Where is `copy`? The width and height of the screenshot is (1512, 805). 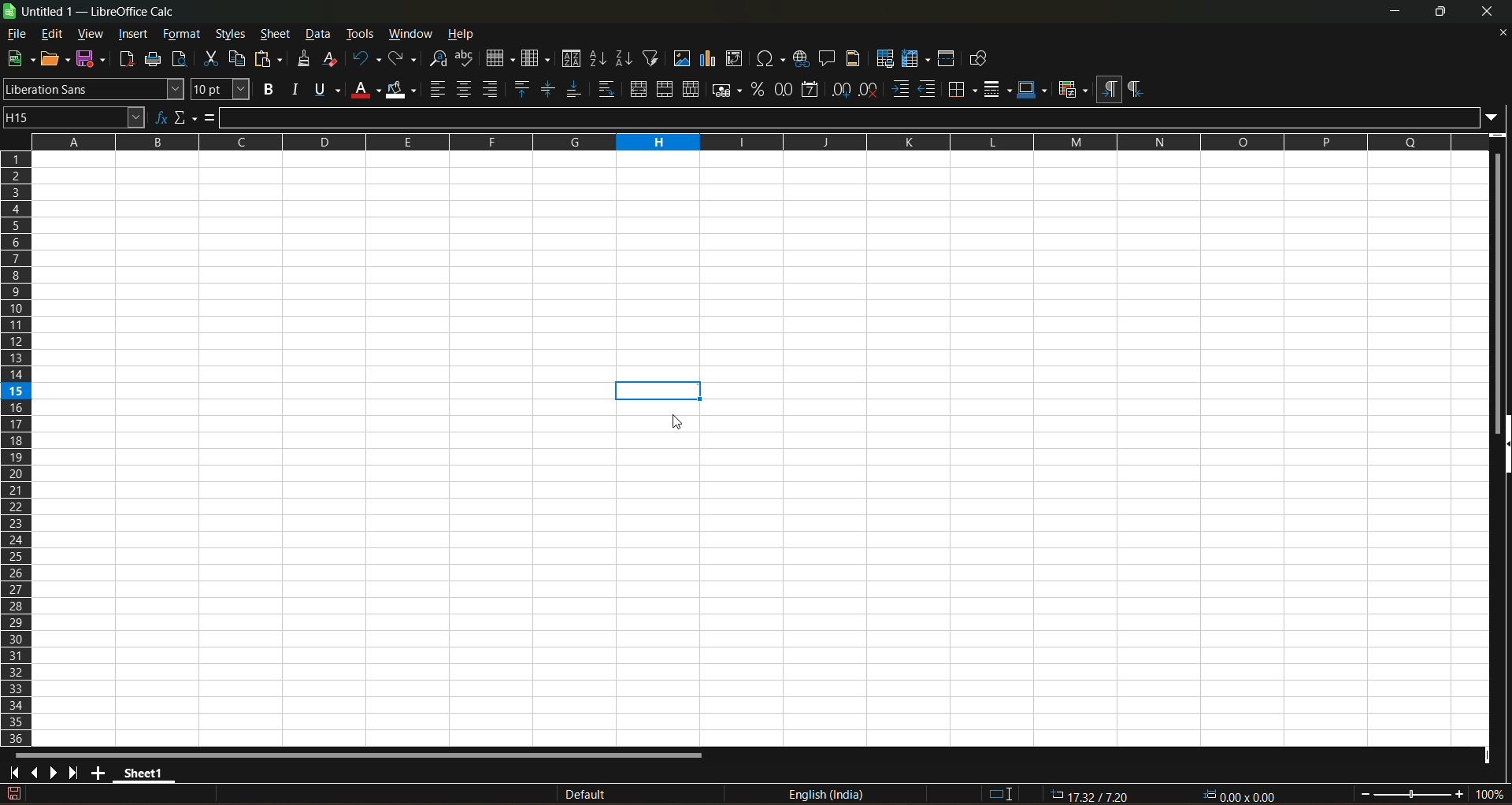 copy is located at coordinates (237, 58).